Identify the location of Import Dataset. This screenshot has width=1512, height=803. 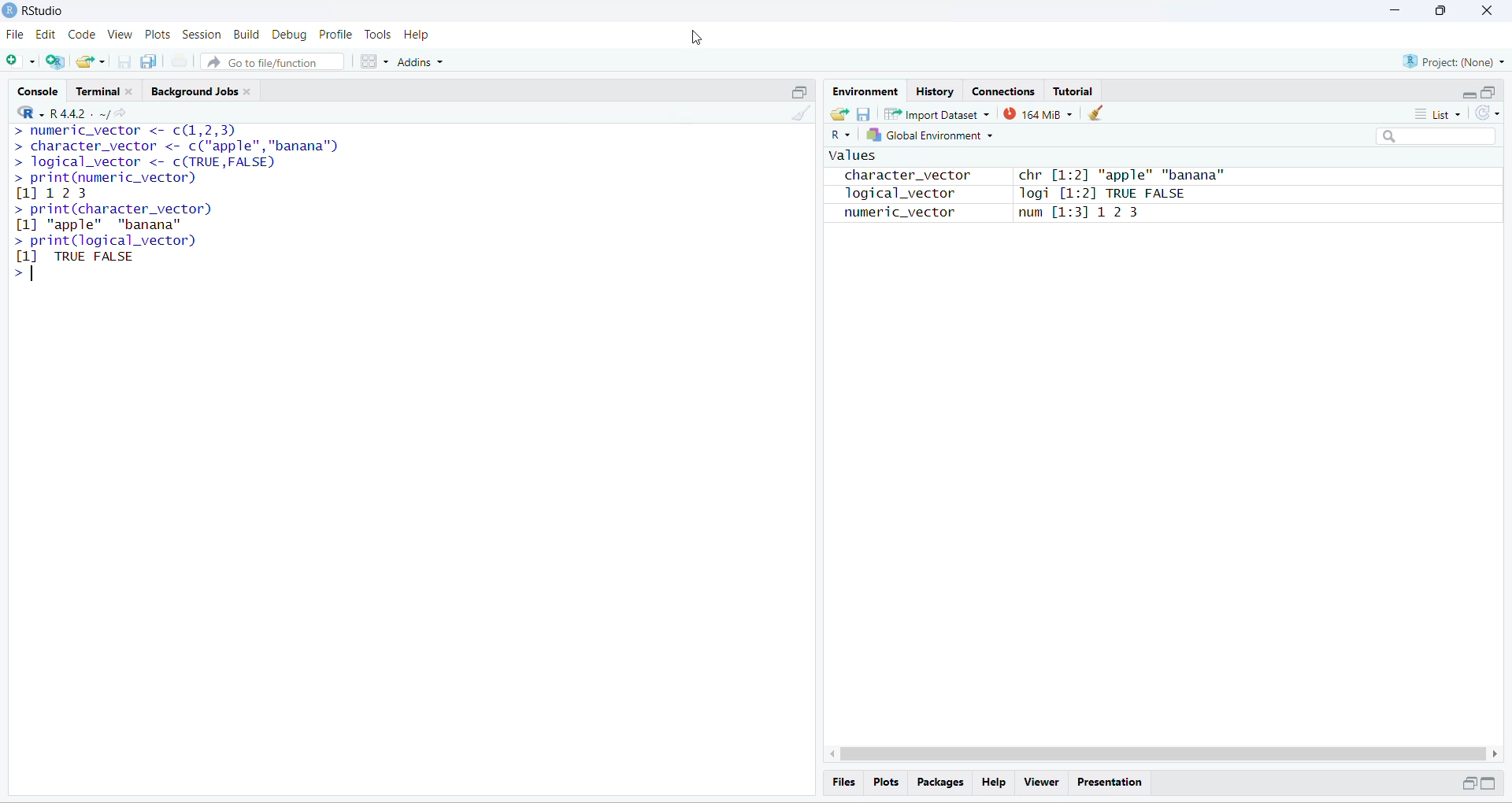
(936, 114).